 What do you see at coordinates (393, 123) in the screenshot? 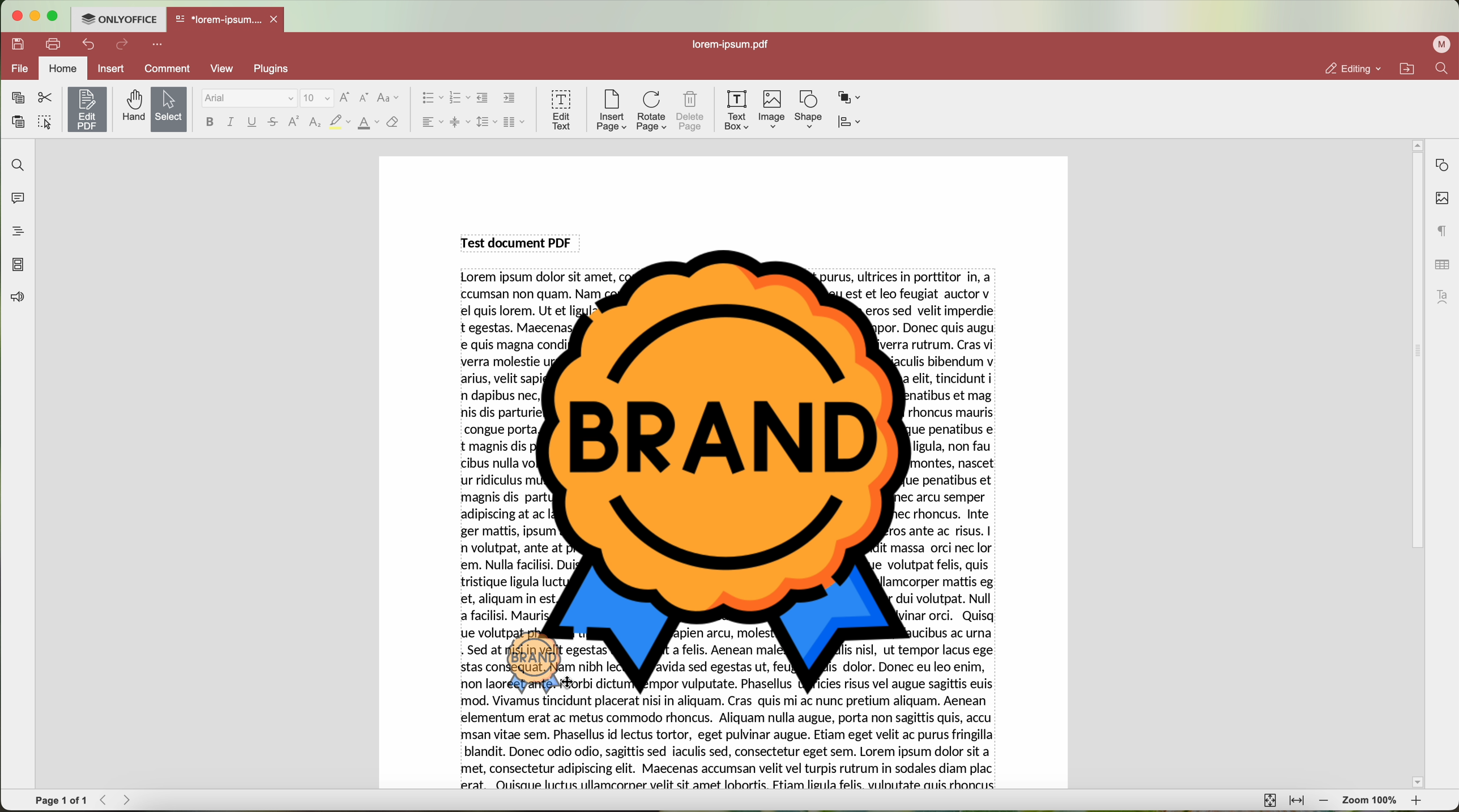
I see `clear style` at bounding box center [393, 123].